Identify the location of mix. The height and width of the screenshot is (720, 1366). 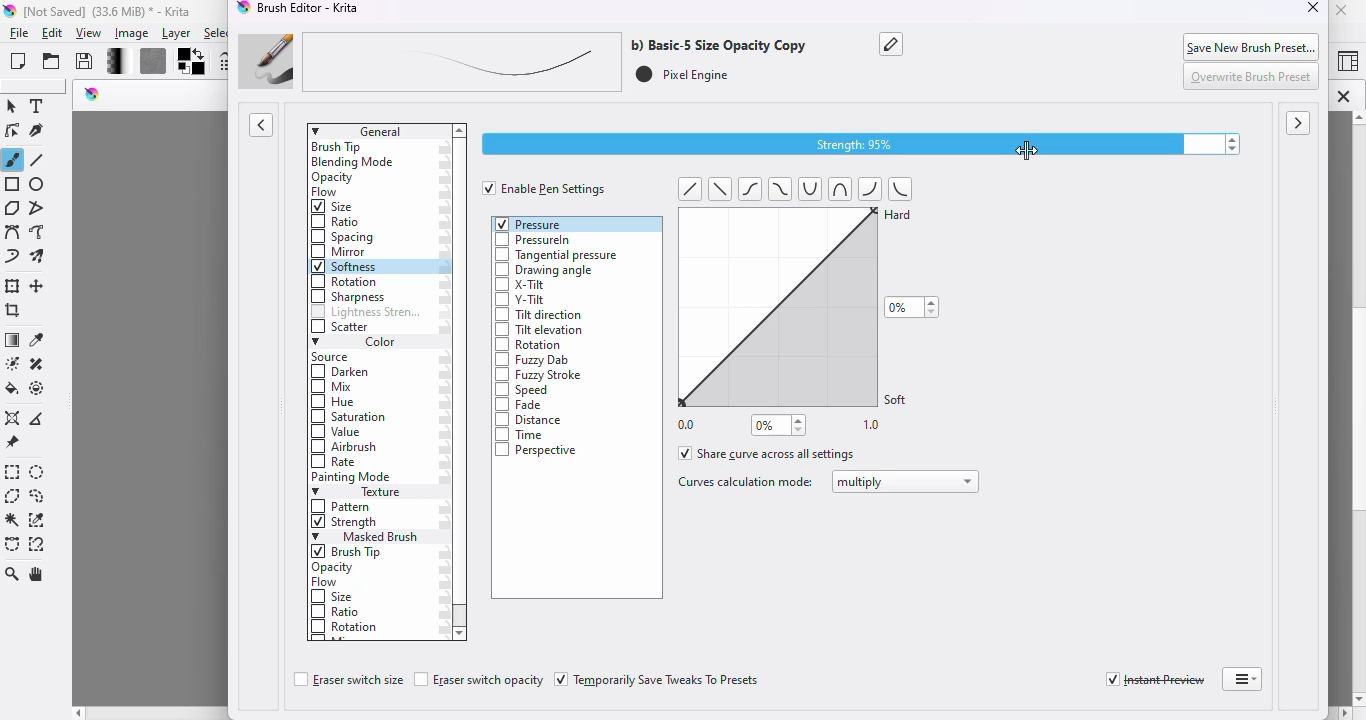
(335, 388).